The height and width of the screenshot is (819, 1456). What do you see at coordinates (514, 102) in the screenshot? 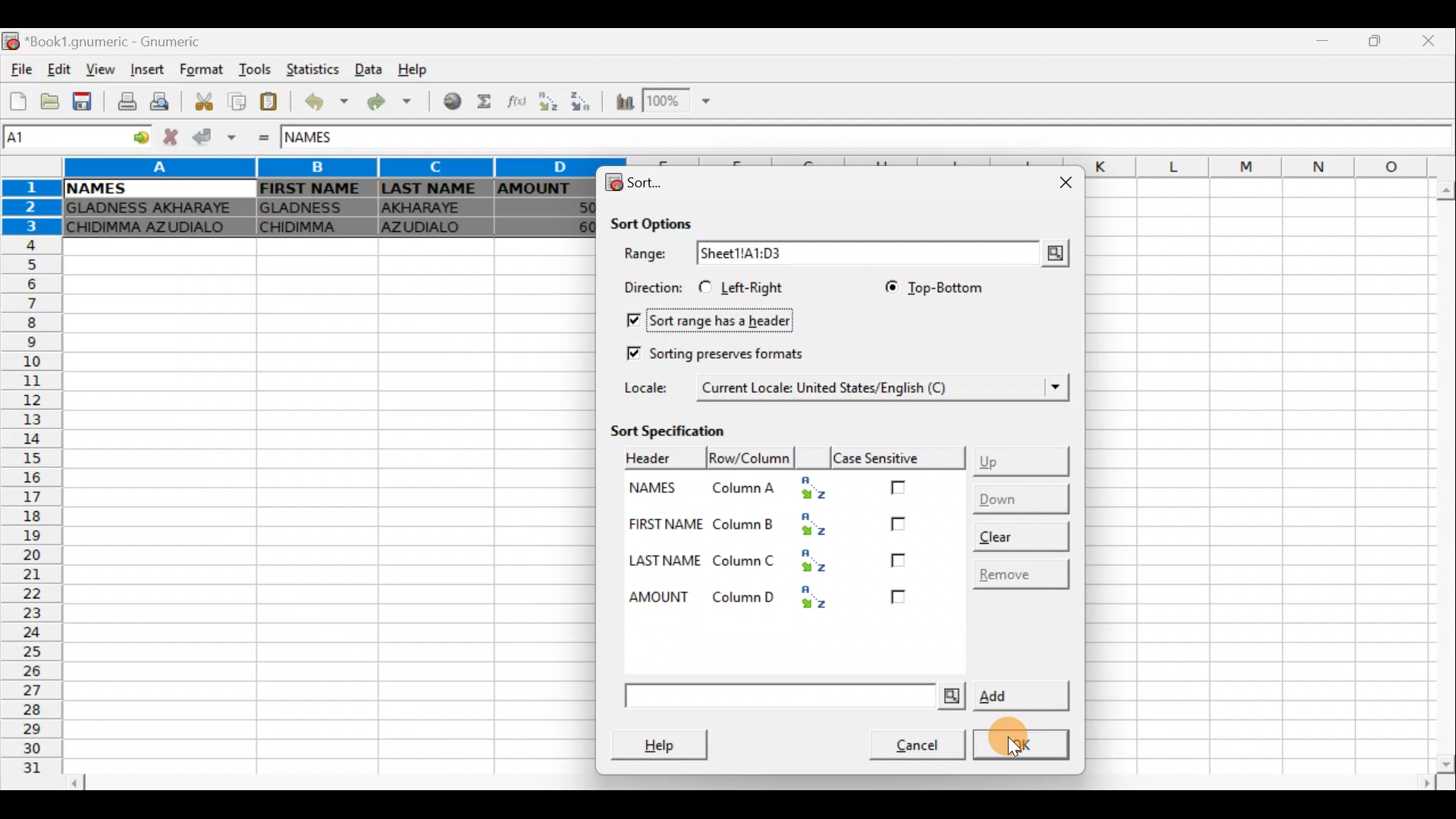
I see `Edit a function in the current cell` at bounding box center [514, 102].